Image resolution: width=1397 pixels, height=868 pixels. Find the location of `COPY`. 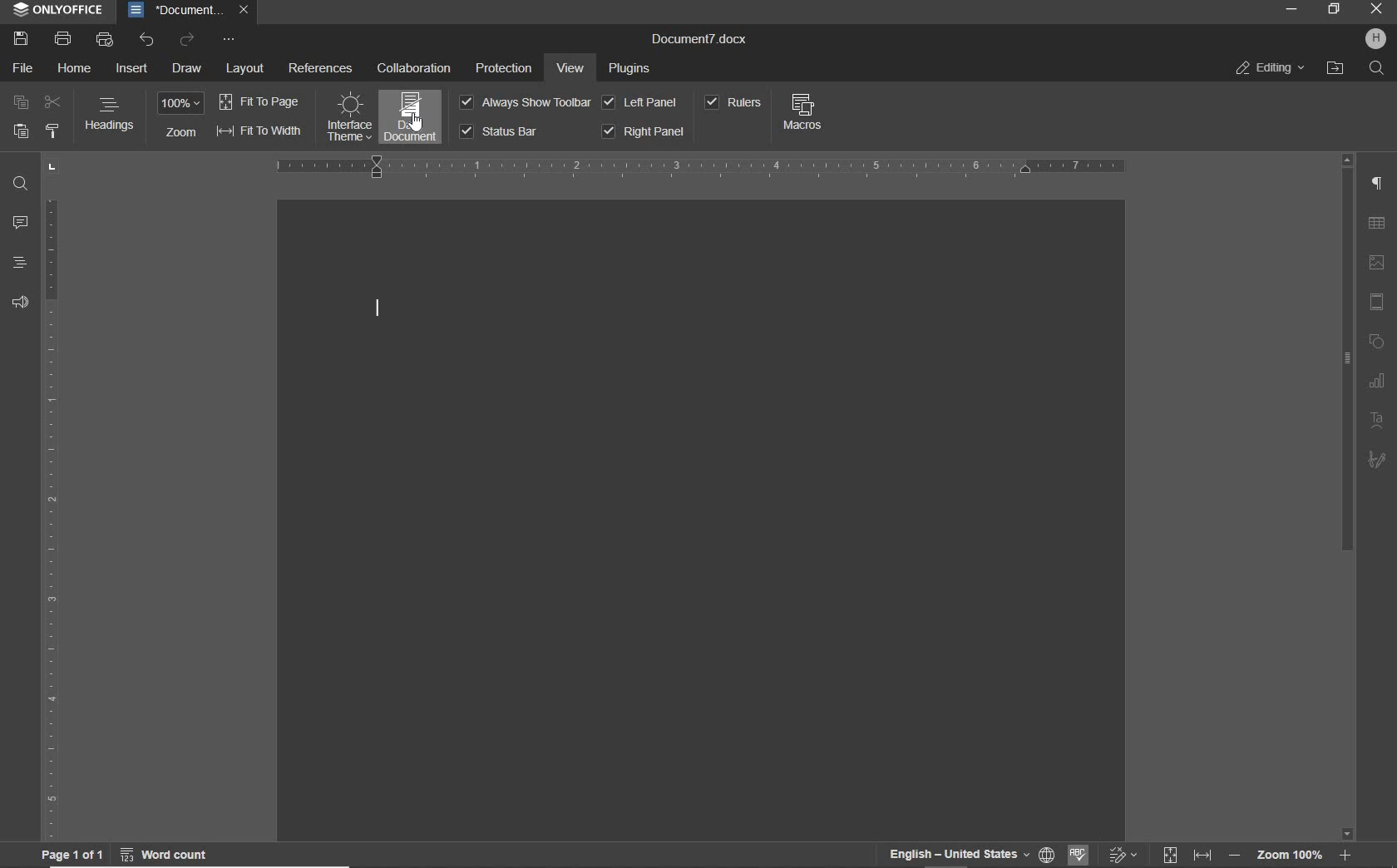

COPY is located at coordinates (21, 104).